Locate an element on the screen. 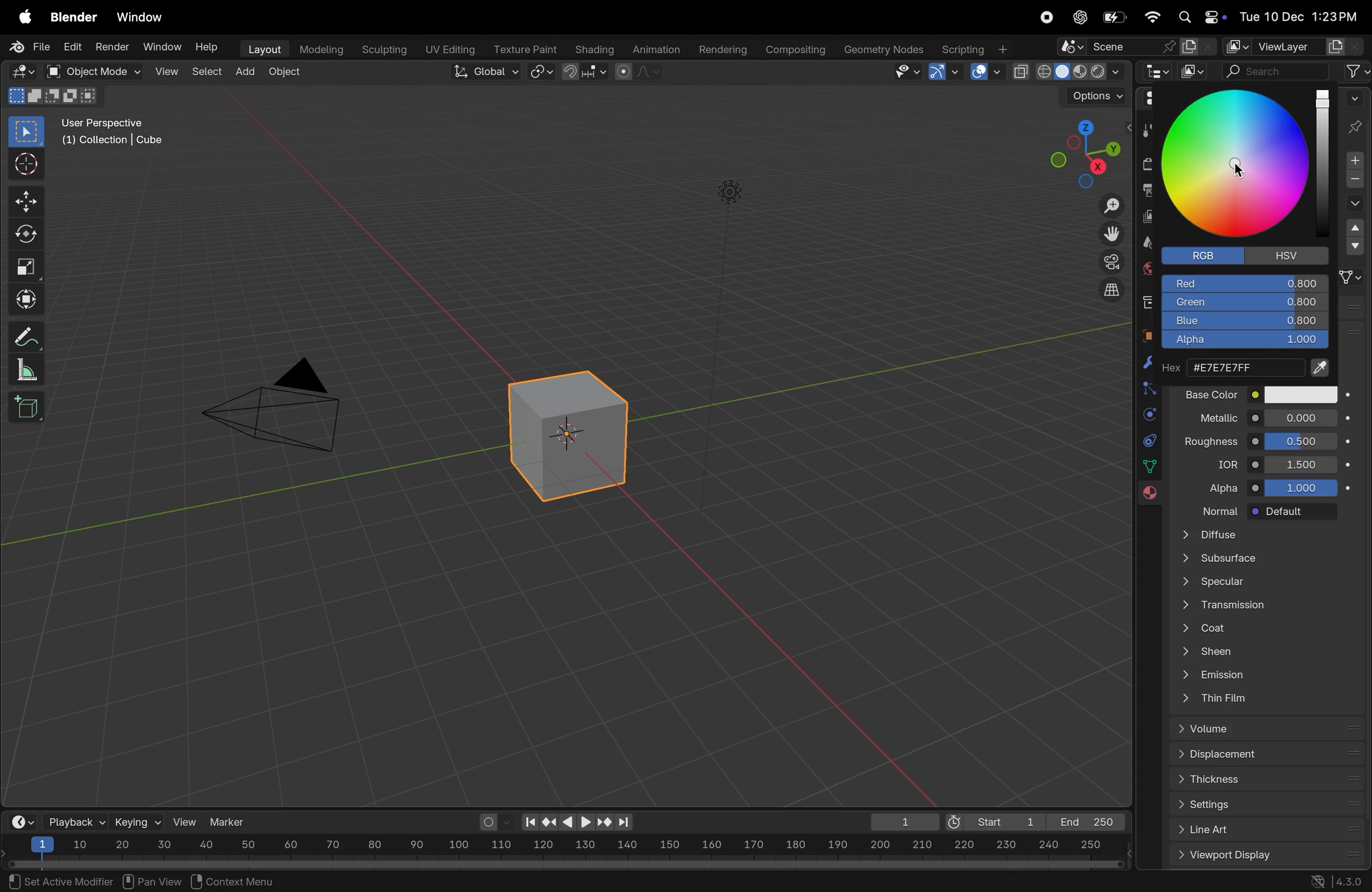  battery is located at coordinates (1117, 17).